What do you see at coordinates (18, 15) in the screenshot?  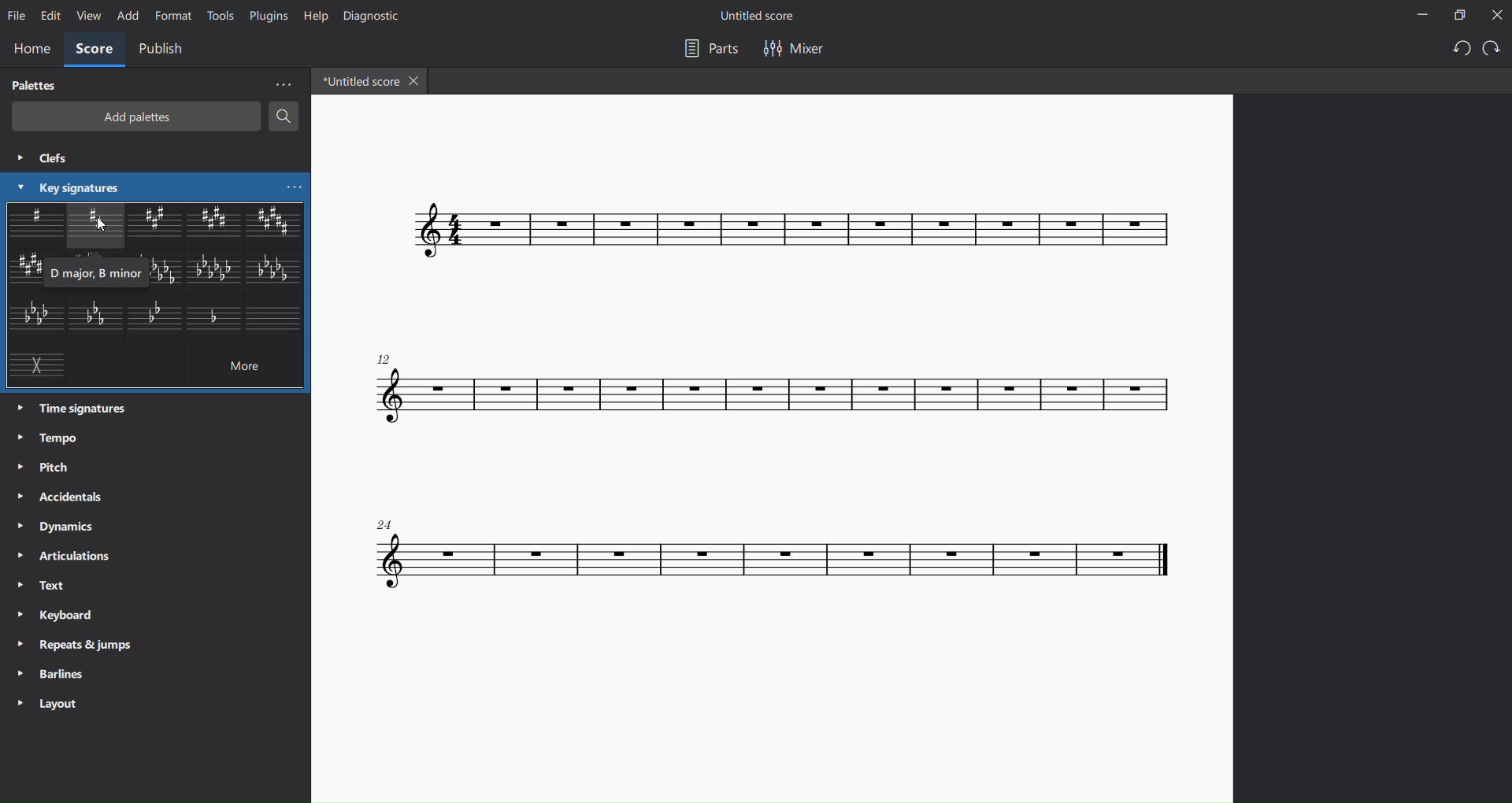 I see `file` at bounding box center [18, 15].